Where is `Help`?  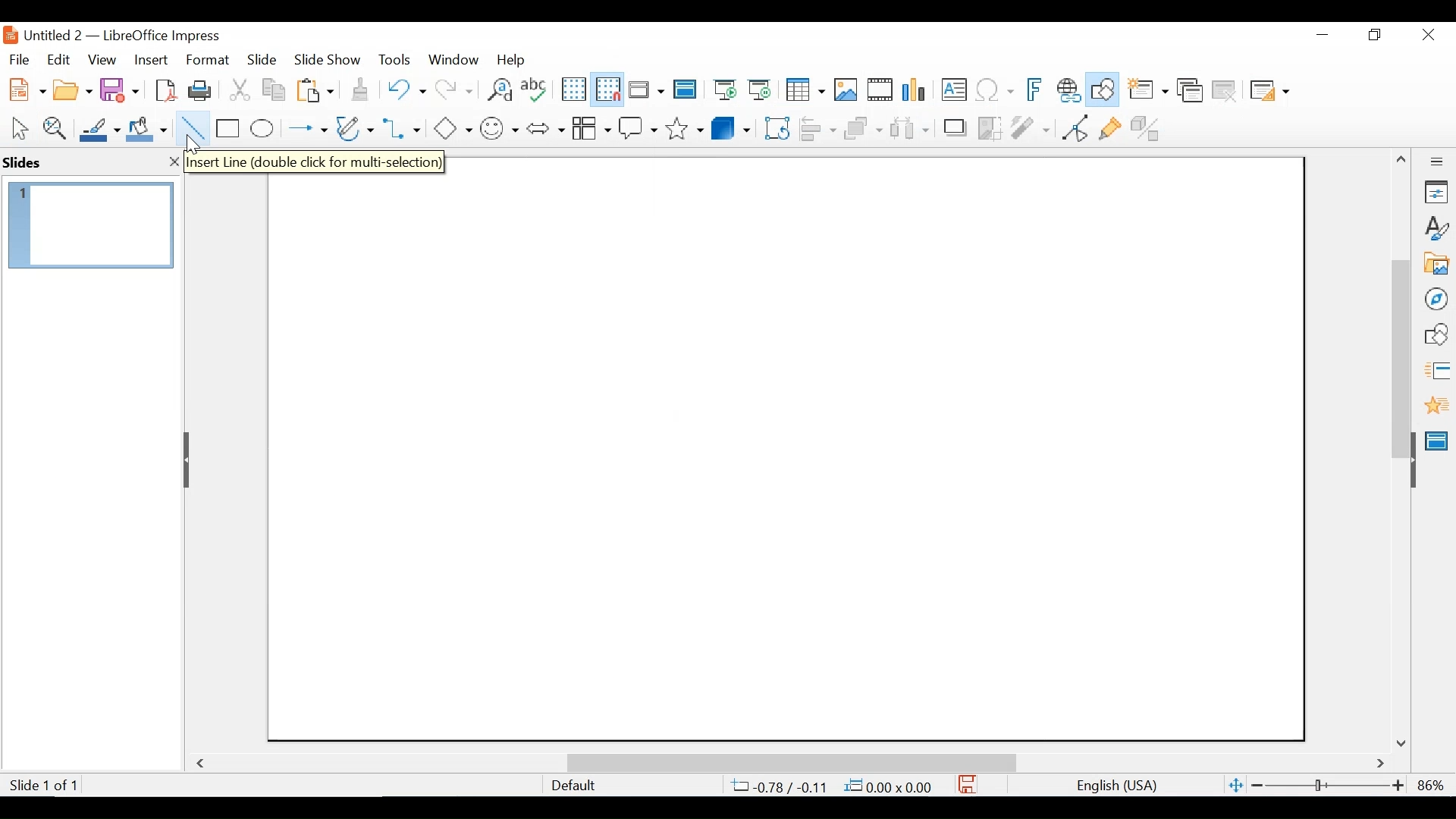
Help is located at coordinates (515, 59).